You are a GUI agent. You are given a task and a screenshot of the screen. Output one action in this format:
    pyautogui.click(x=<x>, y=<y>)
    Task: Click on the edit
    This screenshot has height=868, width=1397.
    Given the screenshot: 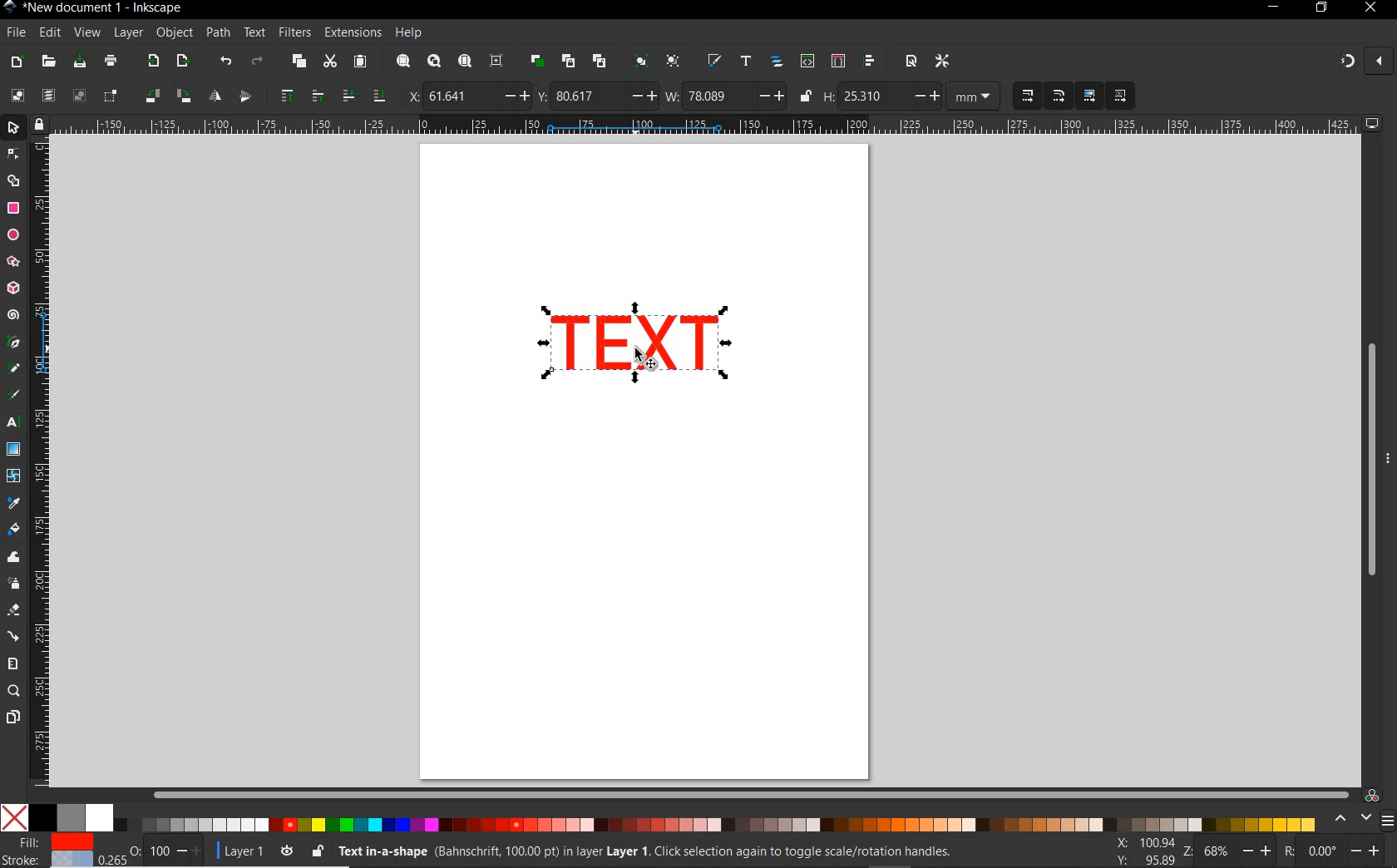 What is the action you would take?
    pyautogui.click(x=49, y=32)
    